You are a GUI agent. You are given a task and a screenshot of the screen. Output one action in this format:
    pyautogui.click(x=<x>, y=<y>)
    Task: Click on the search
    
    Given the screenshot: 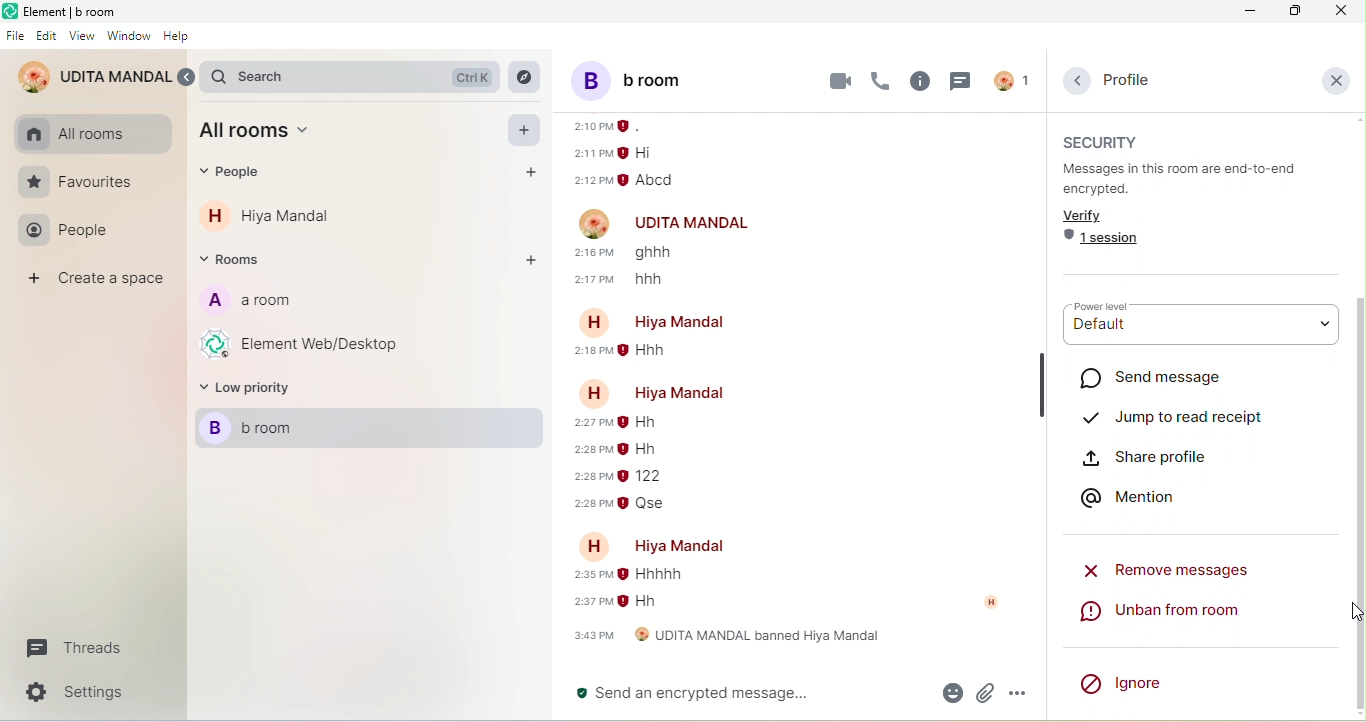 What is the action you would take?
    pyautogui.click(x=356, y=77)
    